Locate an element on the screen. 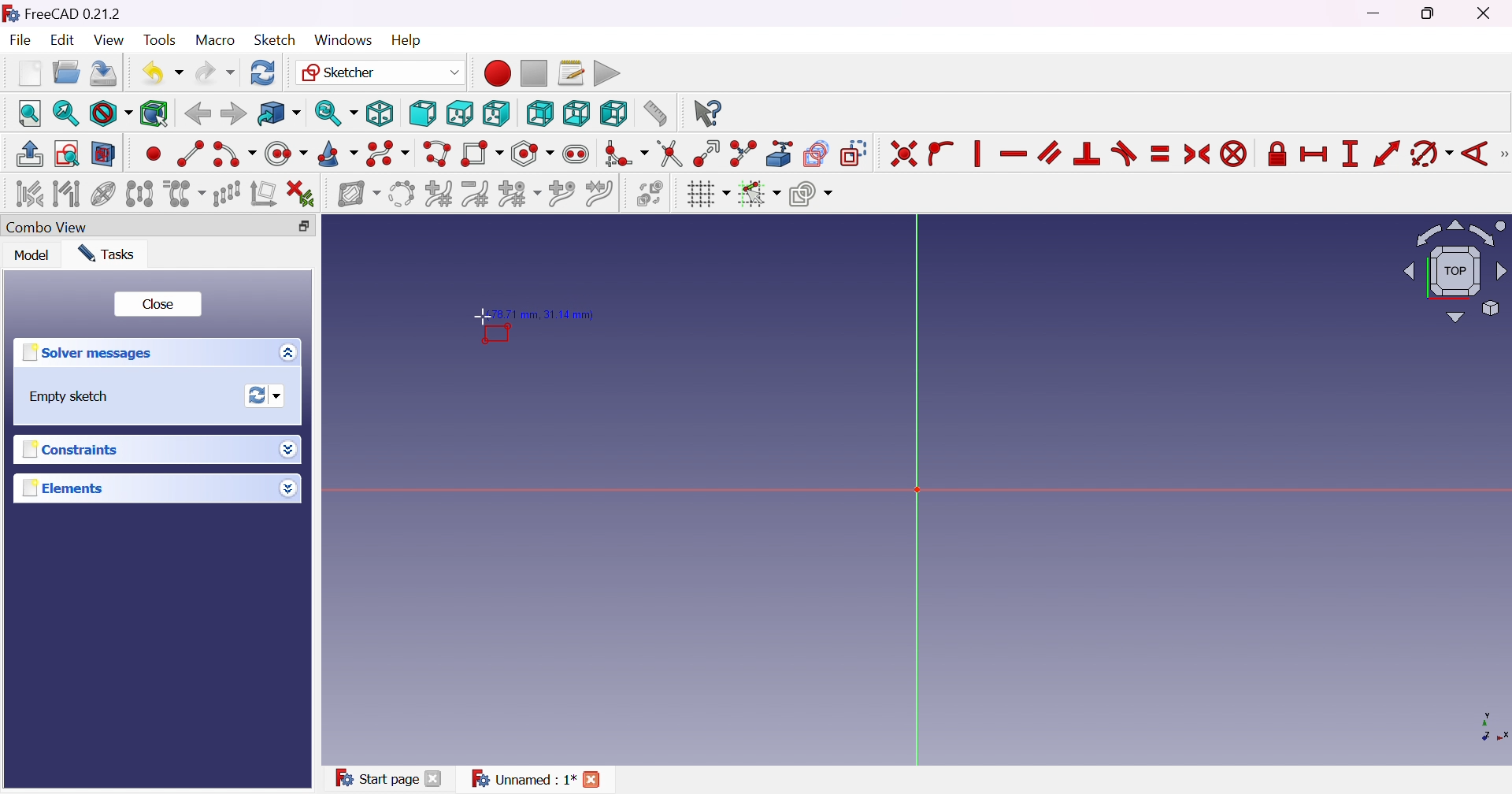 This screenshot has height=794, width=1512. Split edge is located at coordinates (742, 154).